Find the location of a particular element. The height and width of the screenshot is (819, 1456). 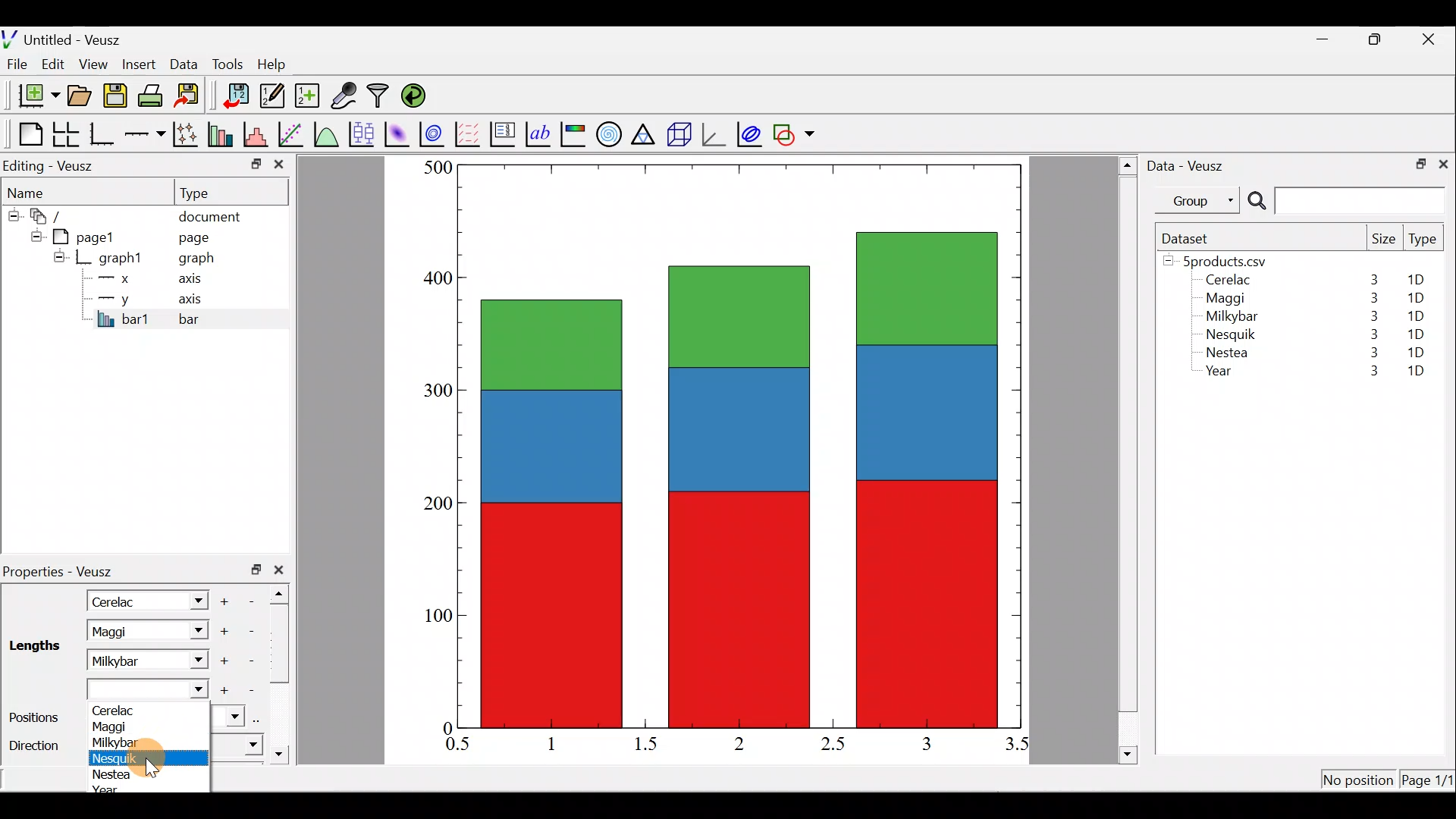

bar1 is located at coordinates (124, 318).